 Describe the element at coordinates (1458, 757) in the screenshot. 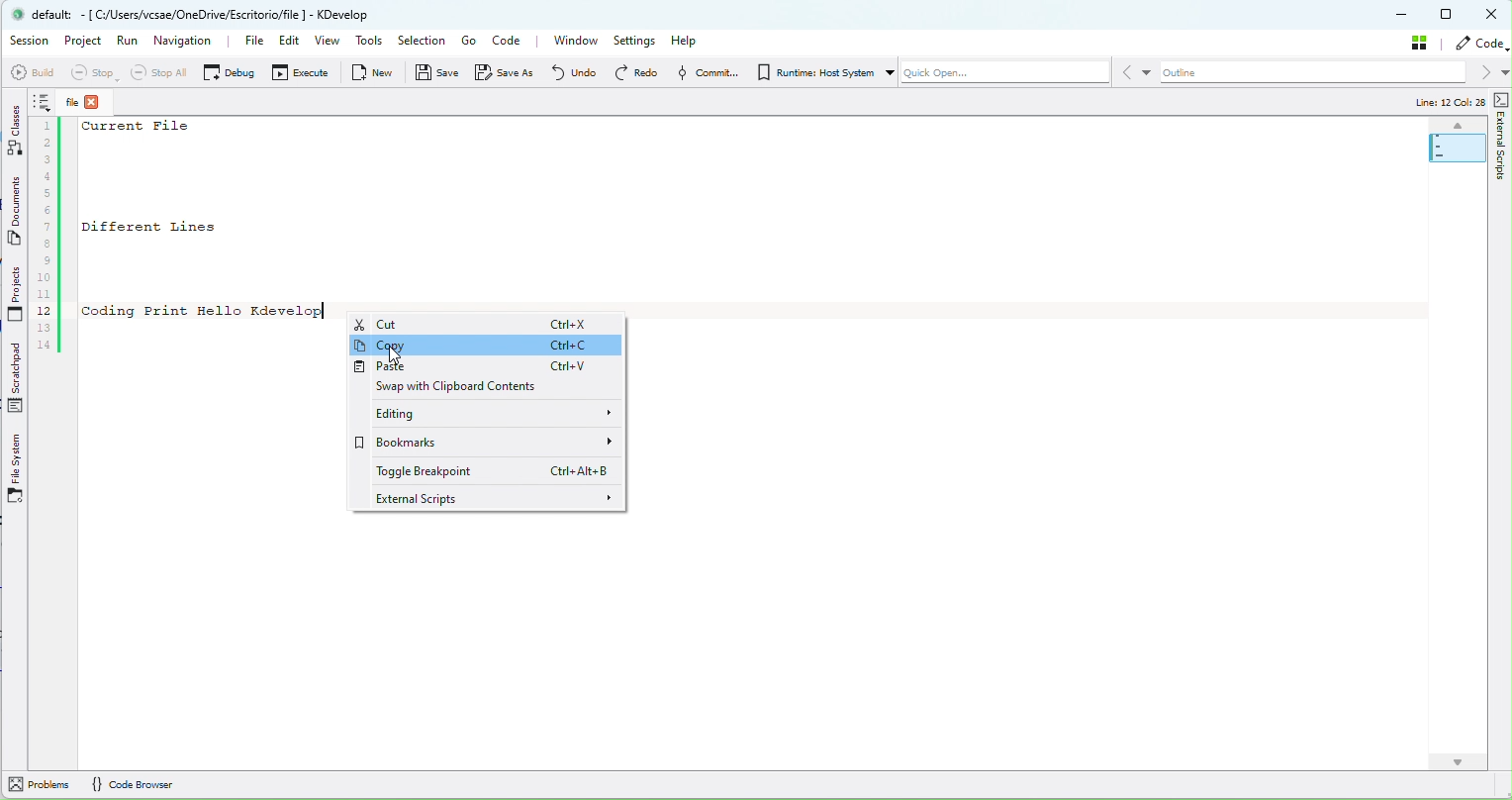

I see `Scroll Down Arrow` at that location.